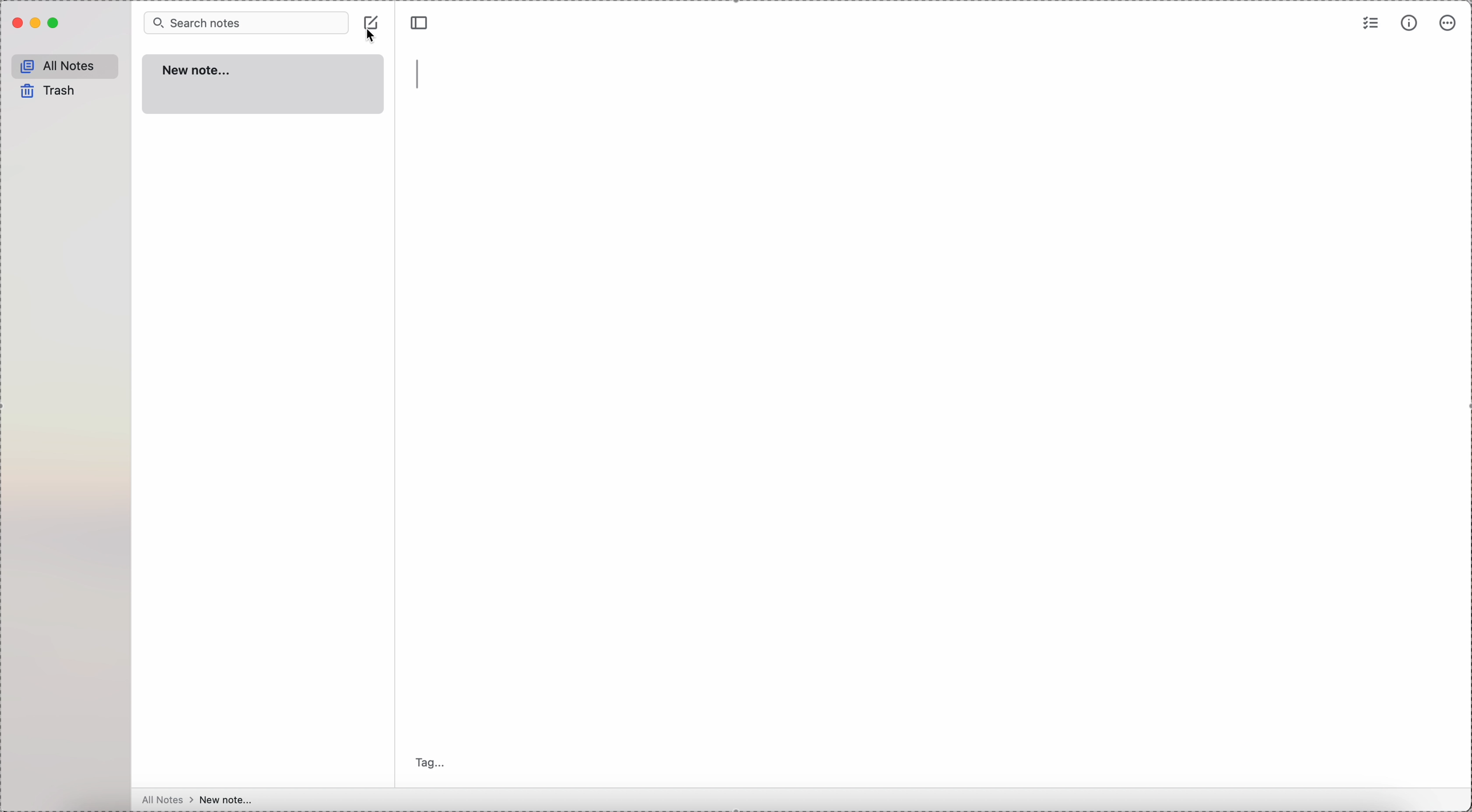 The image size is (1472, 812). What do you see at coordinates (1369, 26) in the screenshot?
I see `check list` at bounding box center [1369, 26].